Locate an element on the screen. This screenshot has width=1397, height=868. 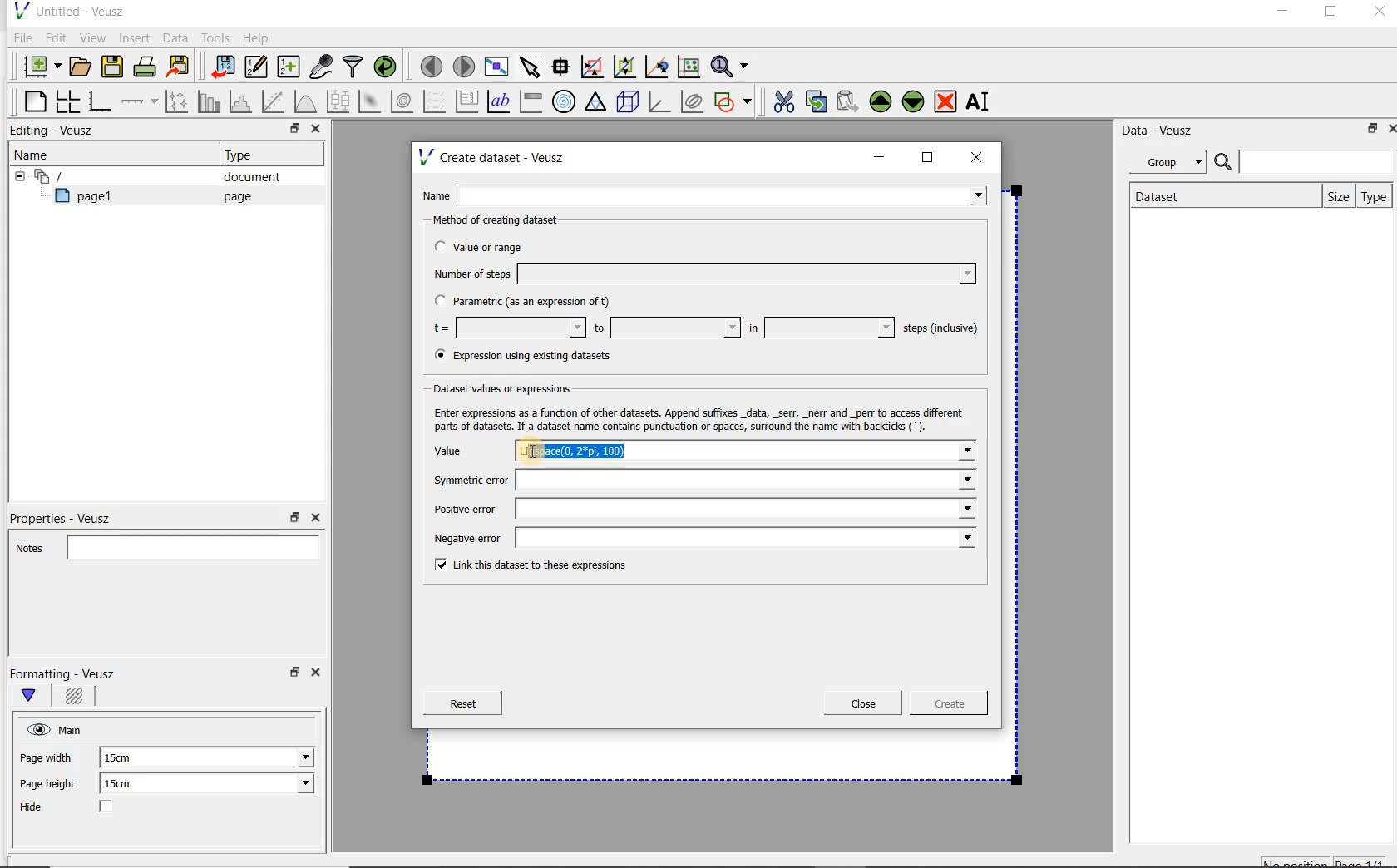
Edit and enter new datasets is located at coordinates (257, 67).